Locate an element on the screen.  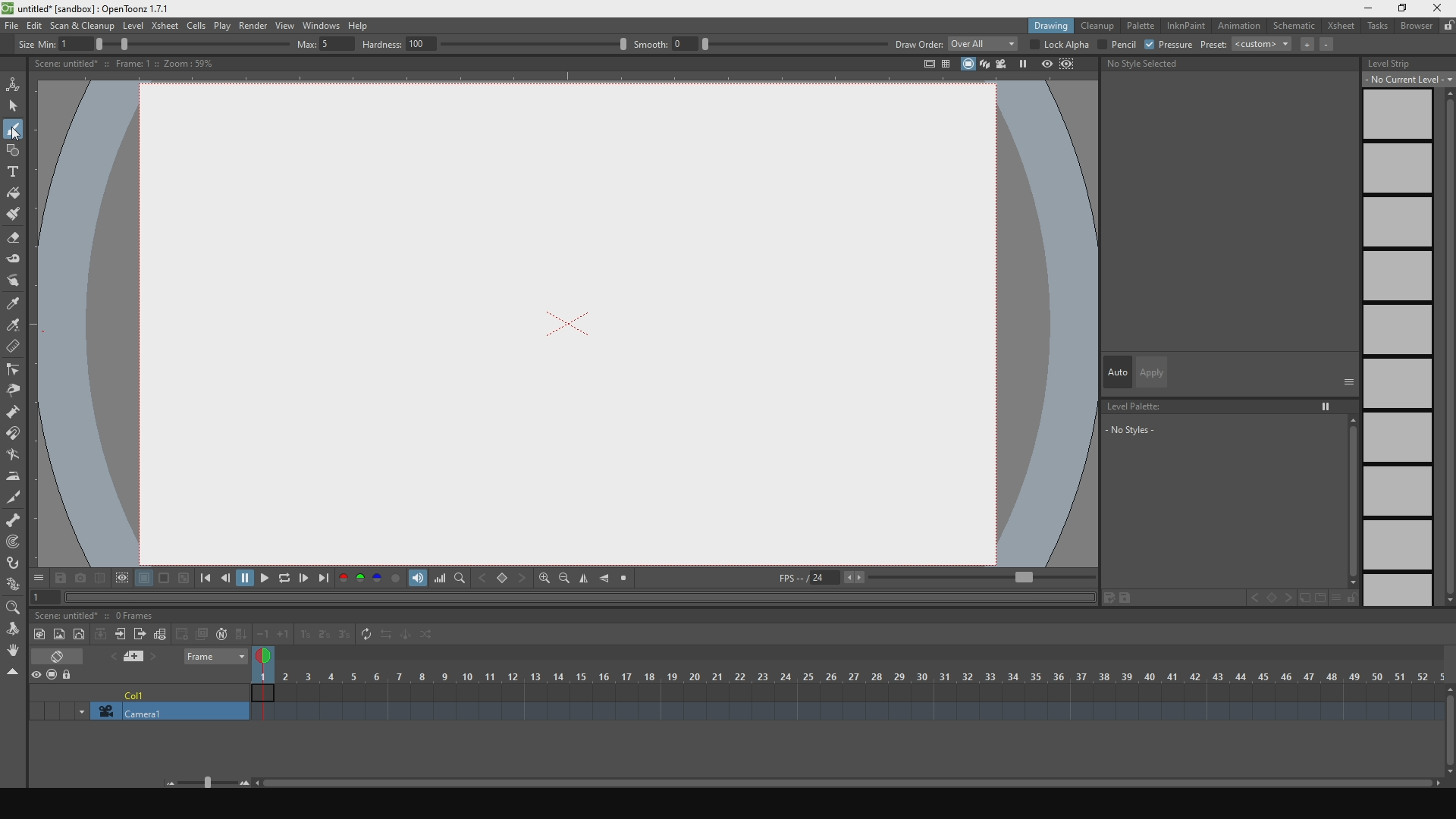
black background is located at coordinates (164, 579).